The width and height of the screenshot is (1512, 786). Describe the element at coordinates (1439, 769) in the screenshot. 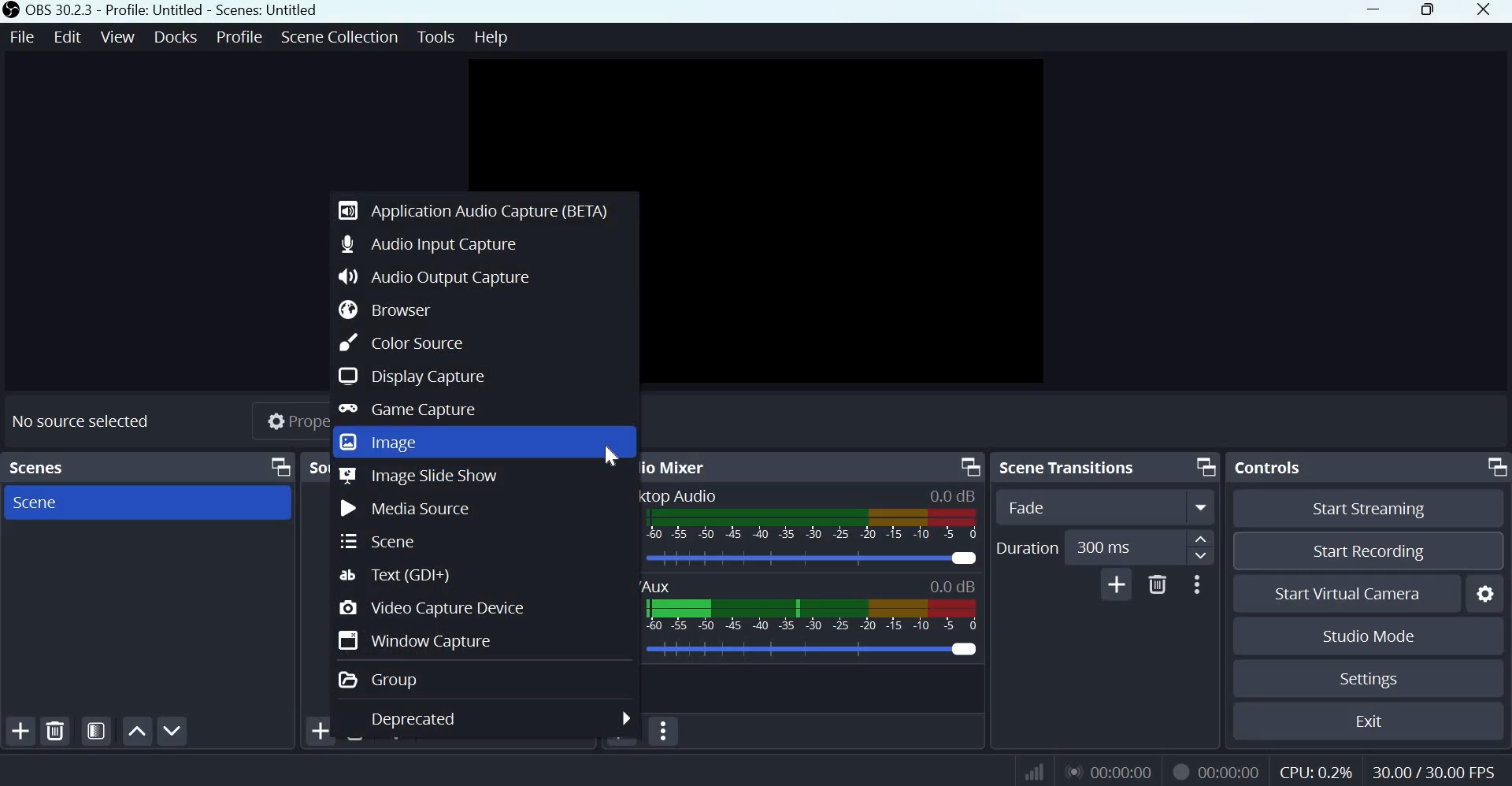

I see `30.00/30.00 FPS` at that location.